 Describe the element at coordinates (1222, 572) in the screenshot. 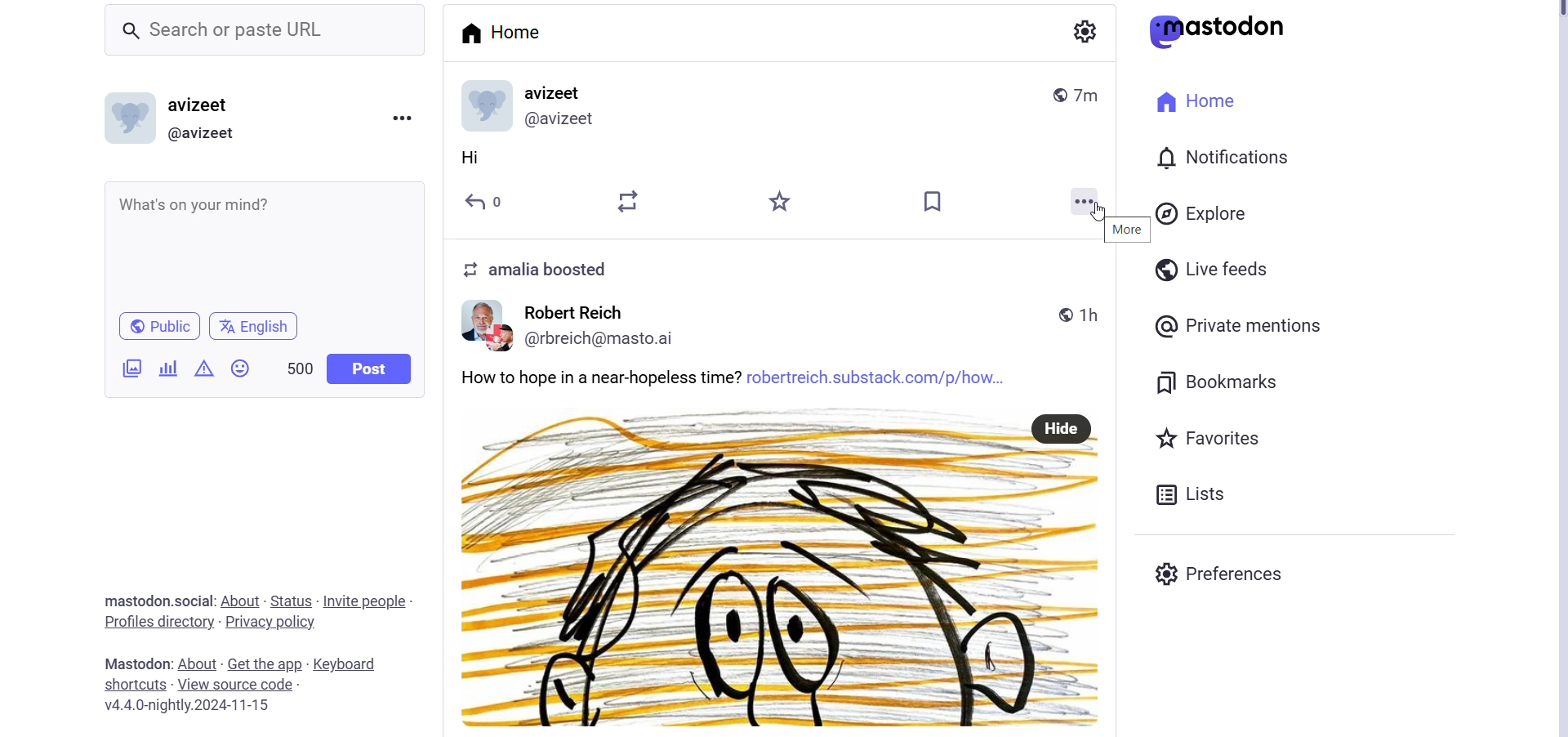

I see `preferences` at that location.